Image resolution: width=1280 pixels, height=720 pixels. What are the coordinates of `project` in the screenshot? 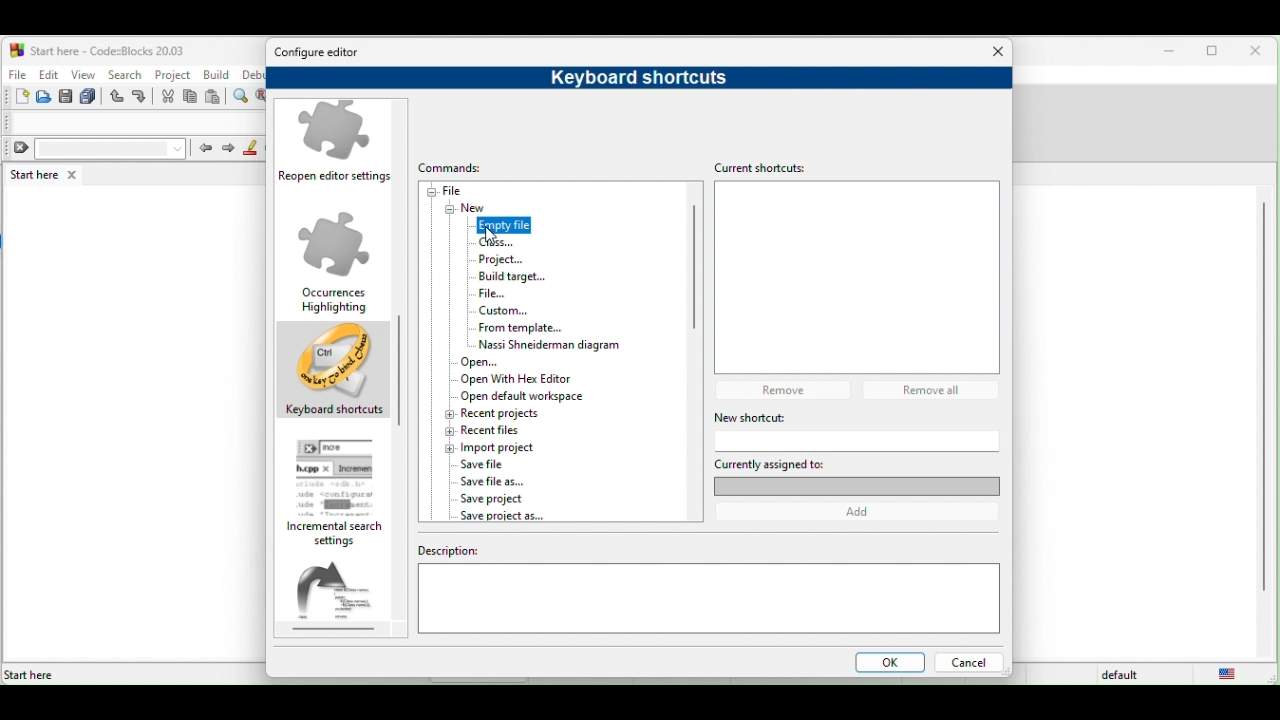 It's located at (506, 258).